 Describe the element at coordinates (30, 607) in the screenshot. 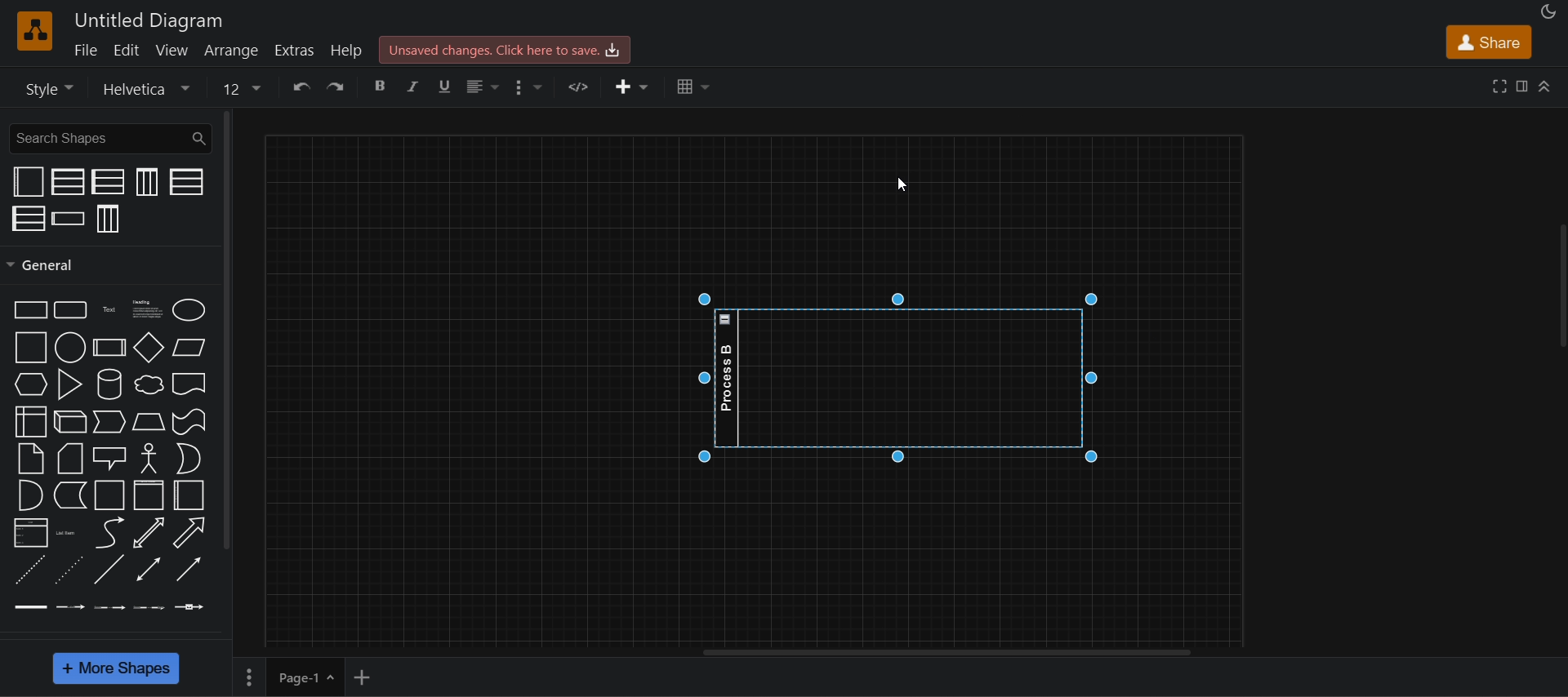

I see `link` at that location.